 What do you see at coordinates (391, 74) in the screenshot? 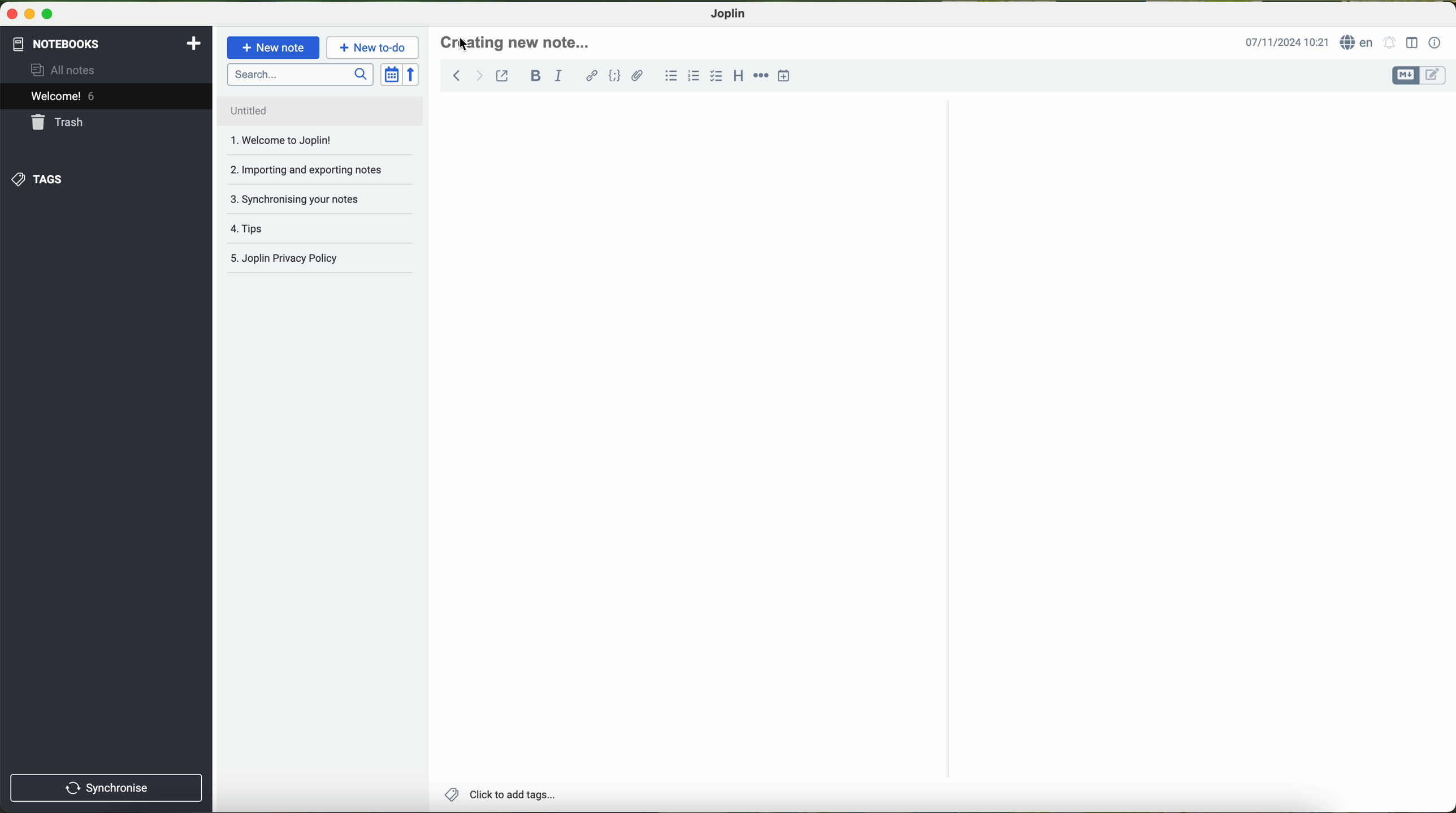
I see `toggle sort order field` at bounding box center [391, 74].